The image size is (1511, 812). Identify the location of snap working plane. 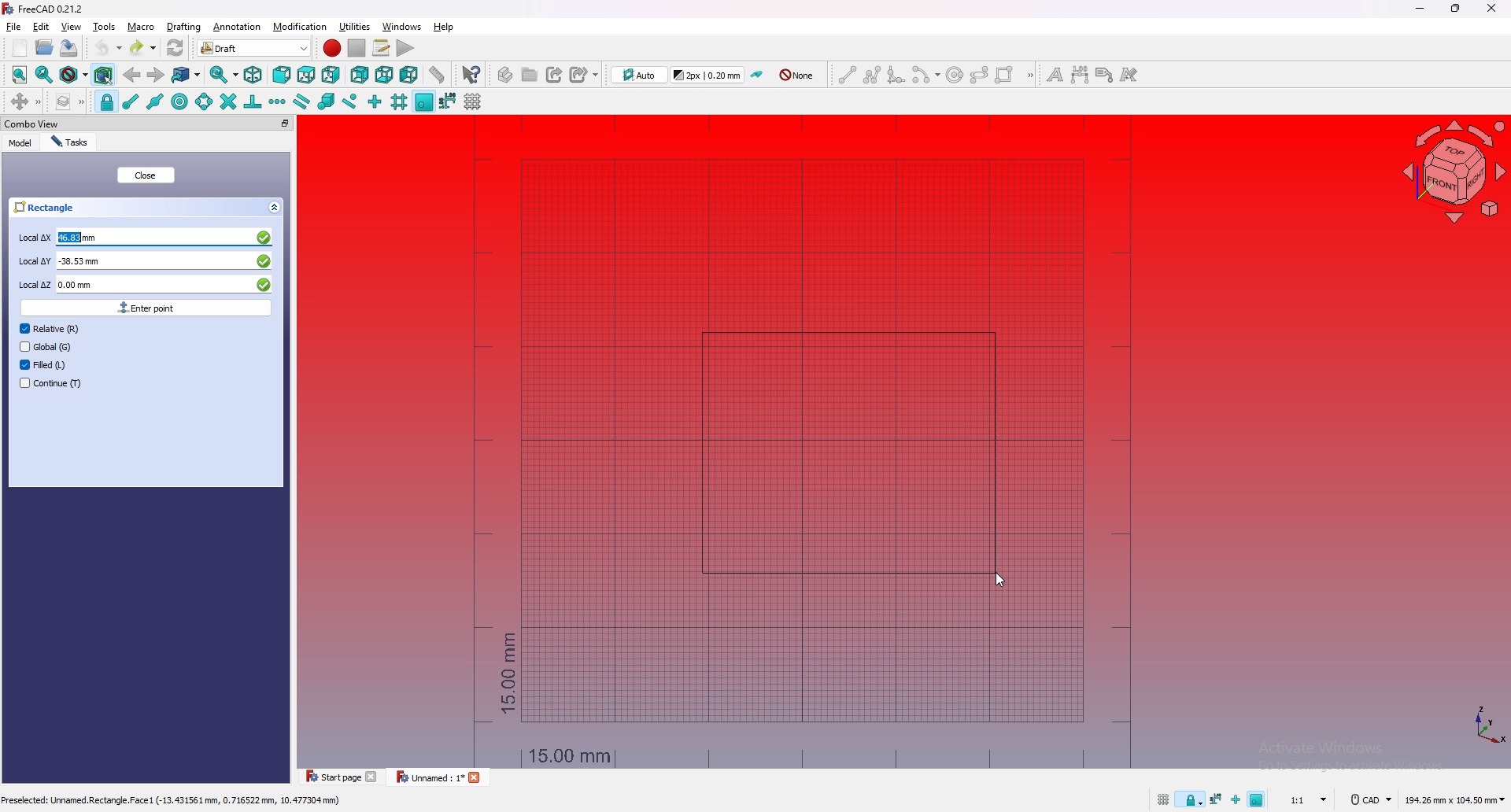
(1258, 798).